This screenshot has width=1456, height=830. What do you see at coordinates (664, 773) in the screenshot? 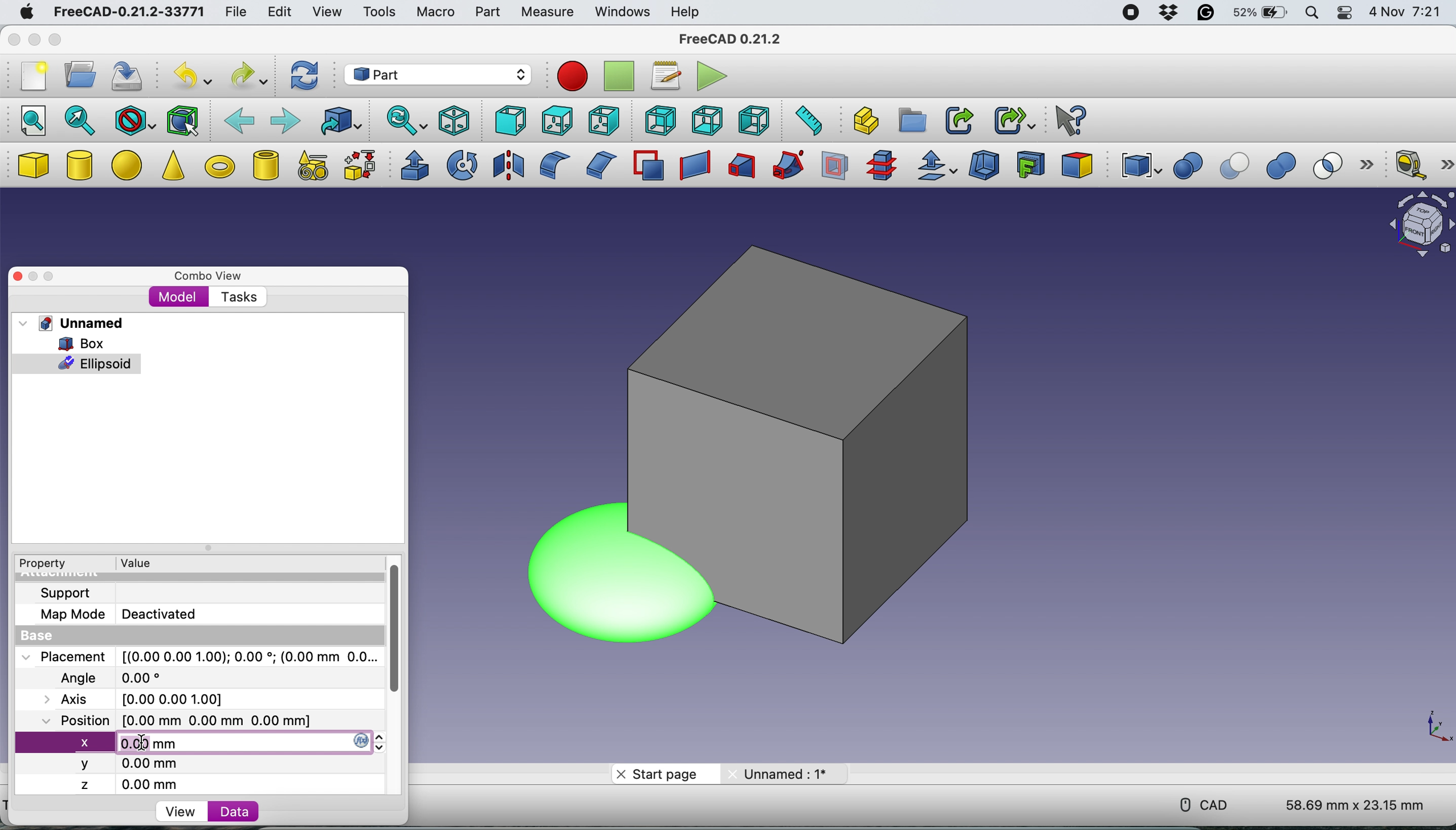
I see `start page` at bounding box center [664, 773].